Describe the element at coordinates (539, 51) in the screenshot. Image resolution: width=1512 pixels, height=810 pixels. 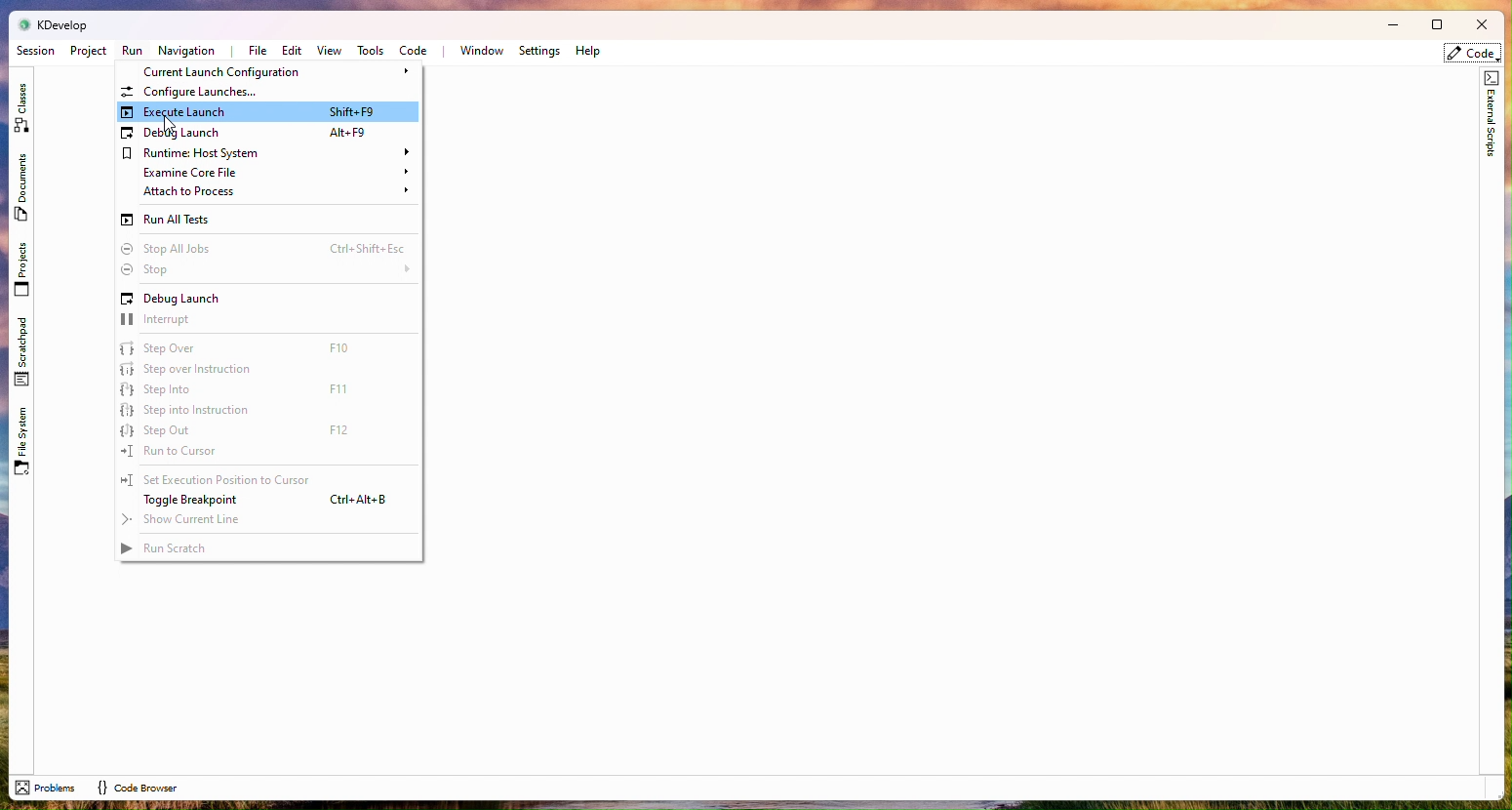
I see `Settings` at that location.